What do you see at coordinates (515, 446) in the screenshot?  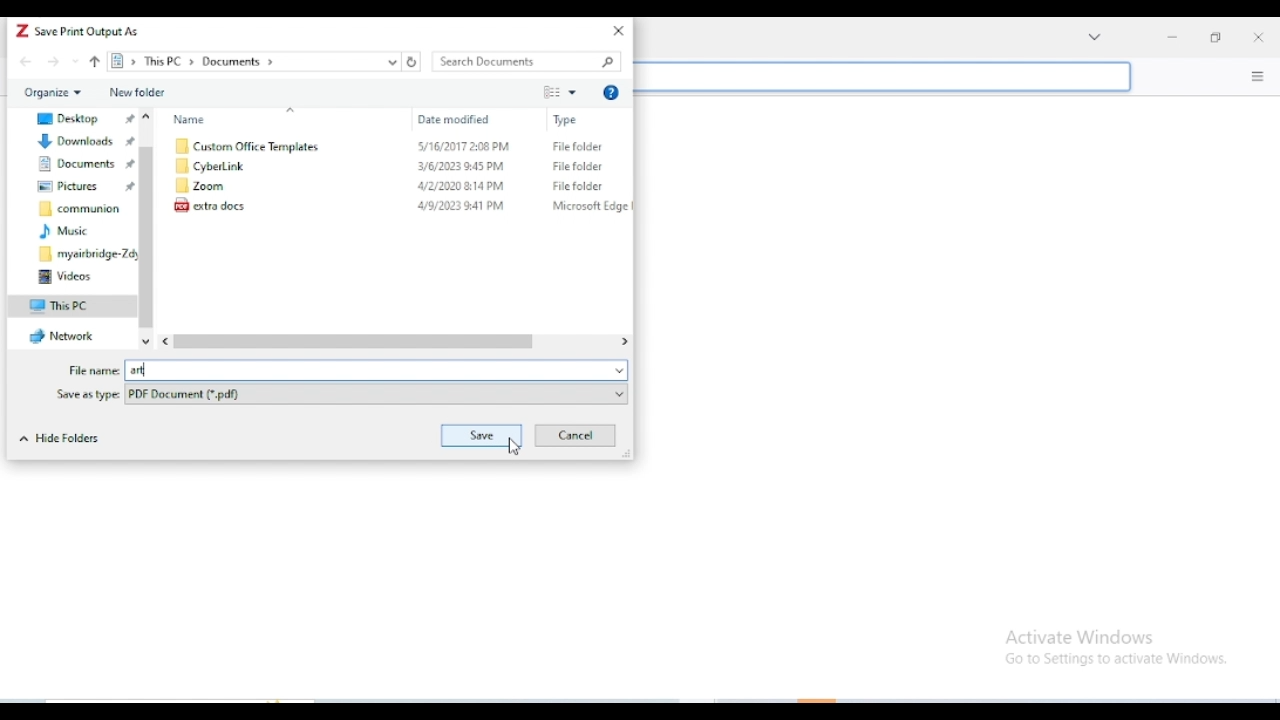 I see `cursor` at bounding box center [515, 446].